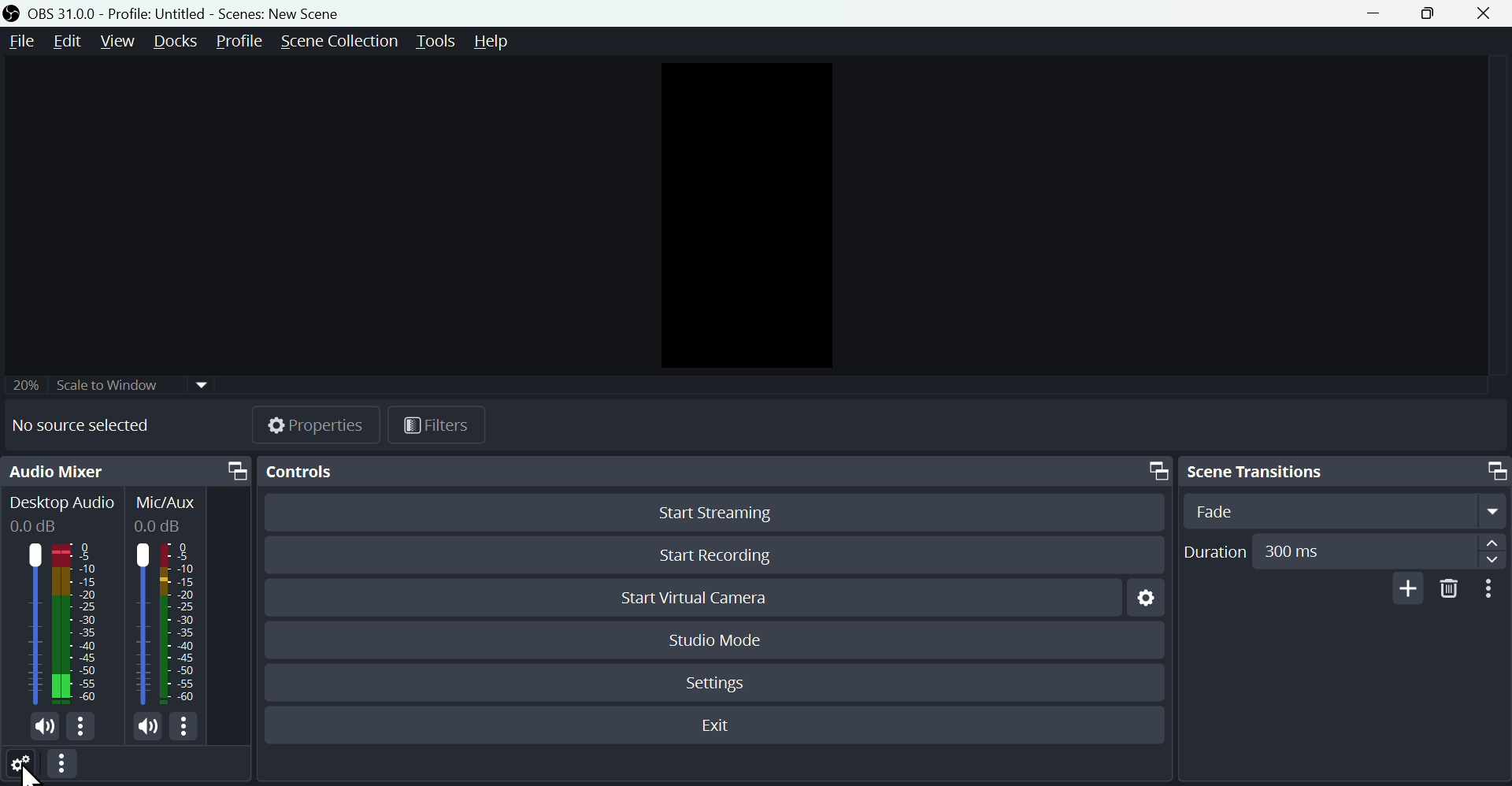 Image resolution: width=1512 pixels, height=786 pixels. Describe the element at coordinates (66, 41) in the screenshot. I see `Edit` at that location.